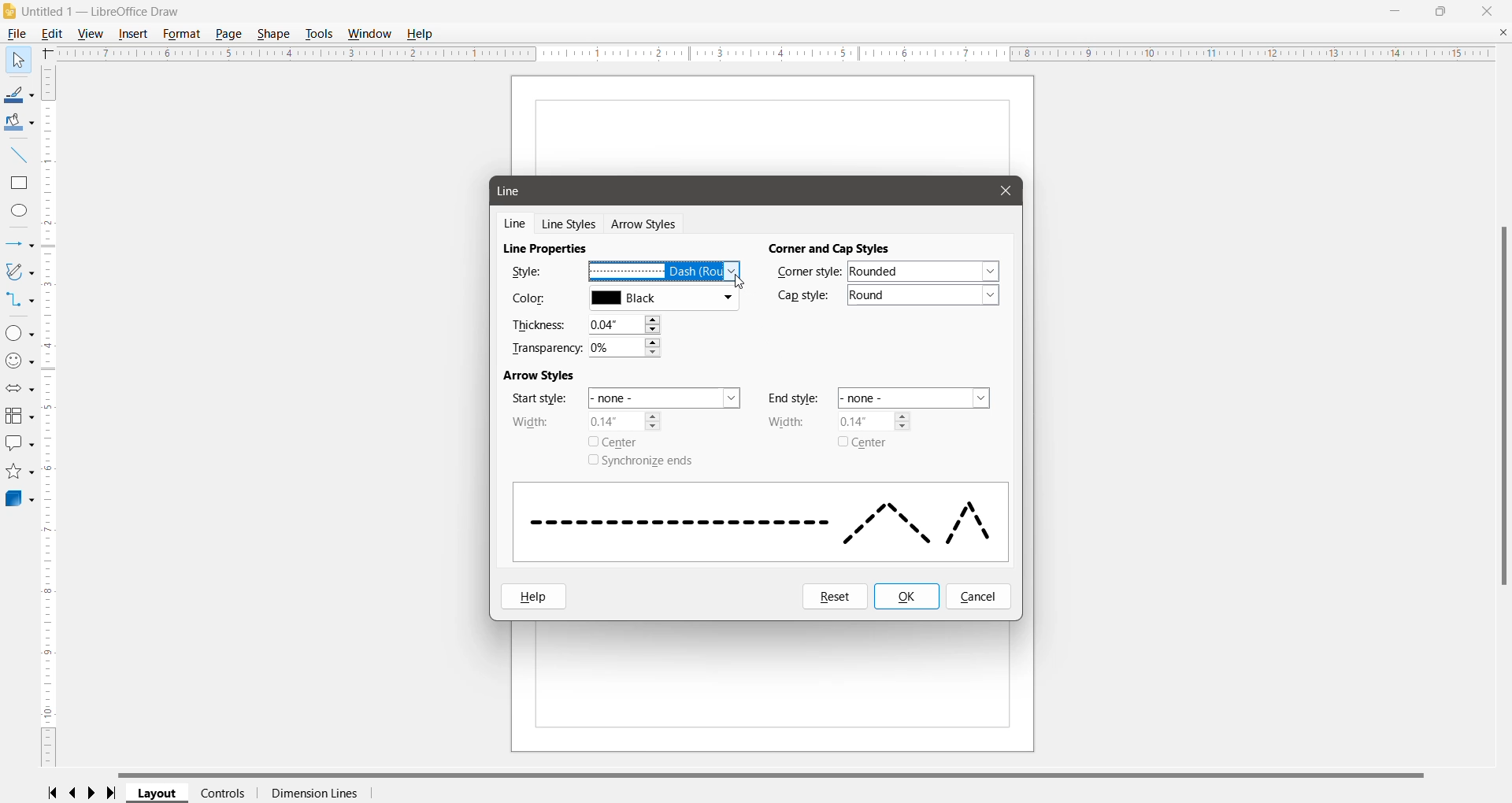 This screenshot has width=1512, height=803. Describe the element at coordinates (93, 794) in the screenshot. I see `Scroll to next page` at that location.